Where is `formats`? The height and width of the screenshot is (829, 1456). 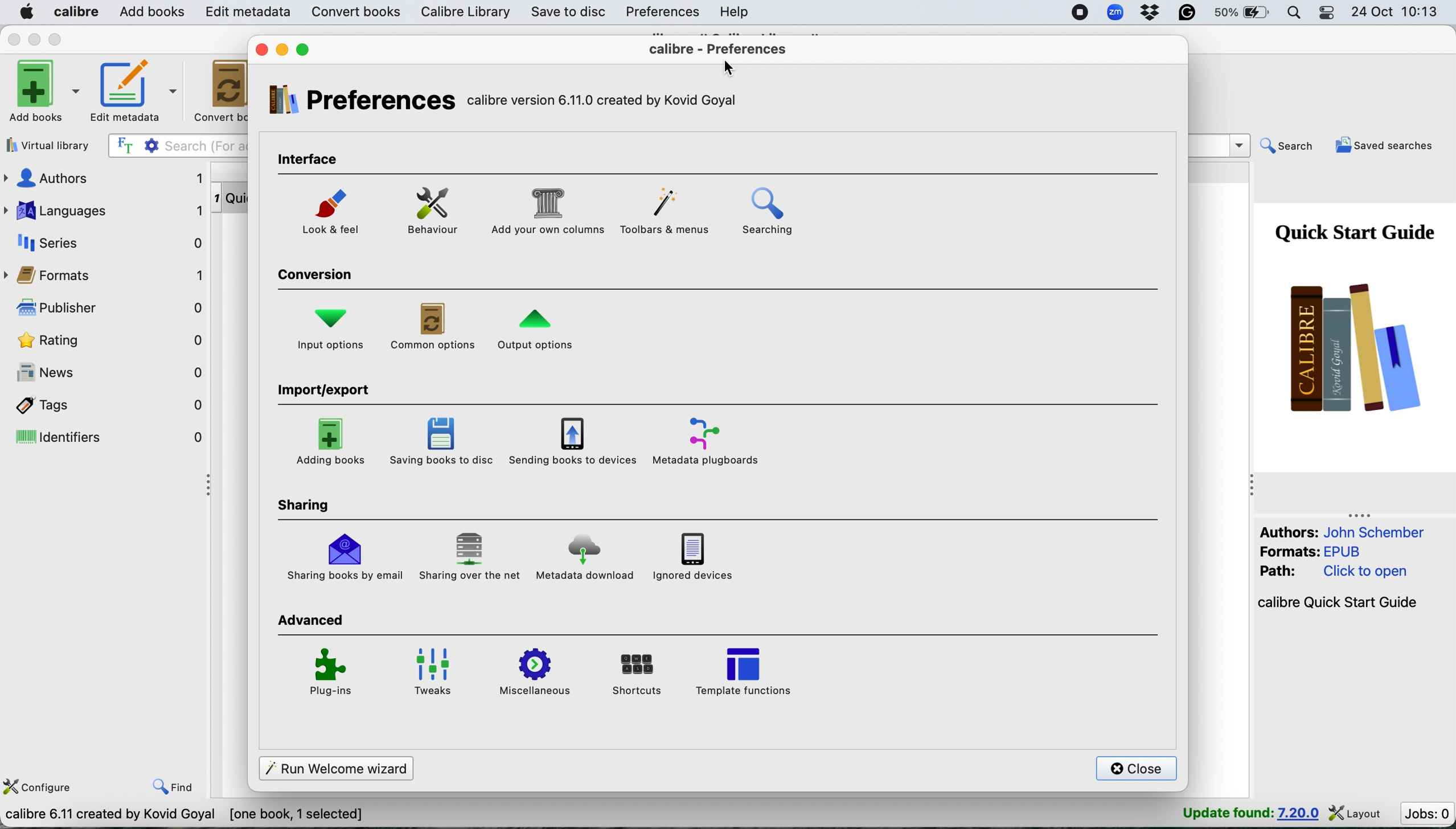 formats is located at coordinates (110, 276).